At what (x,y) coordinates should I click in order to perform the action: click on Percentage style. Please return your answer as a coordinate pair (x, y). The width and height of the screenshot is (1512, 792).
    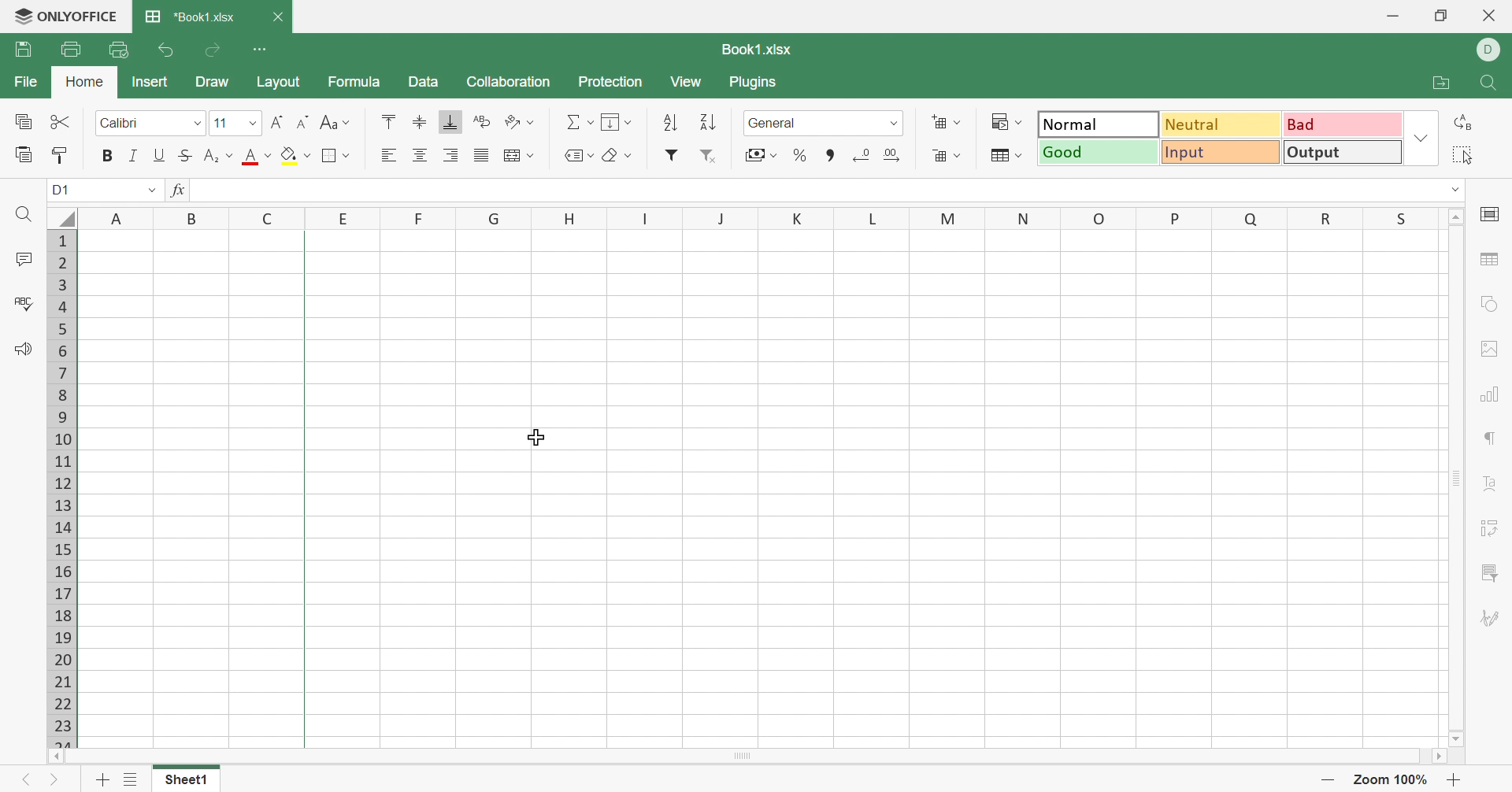
    Looking at the image, I should click on (801, 157).